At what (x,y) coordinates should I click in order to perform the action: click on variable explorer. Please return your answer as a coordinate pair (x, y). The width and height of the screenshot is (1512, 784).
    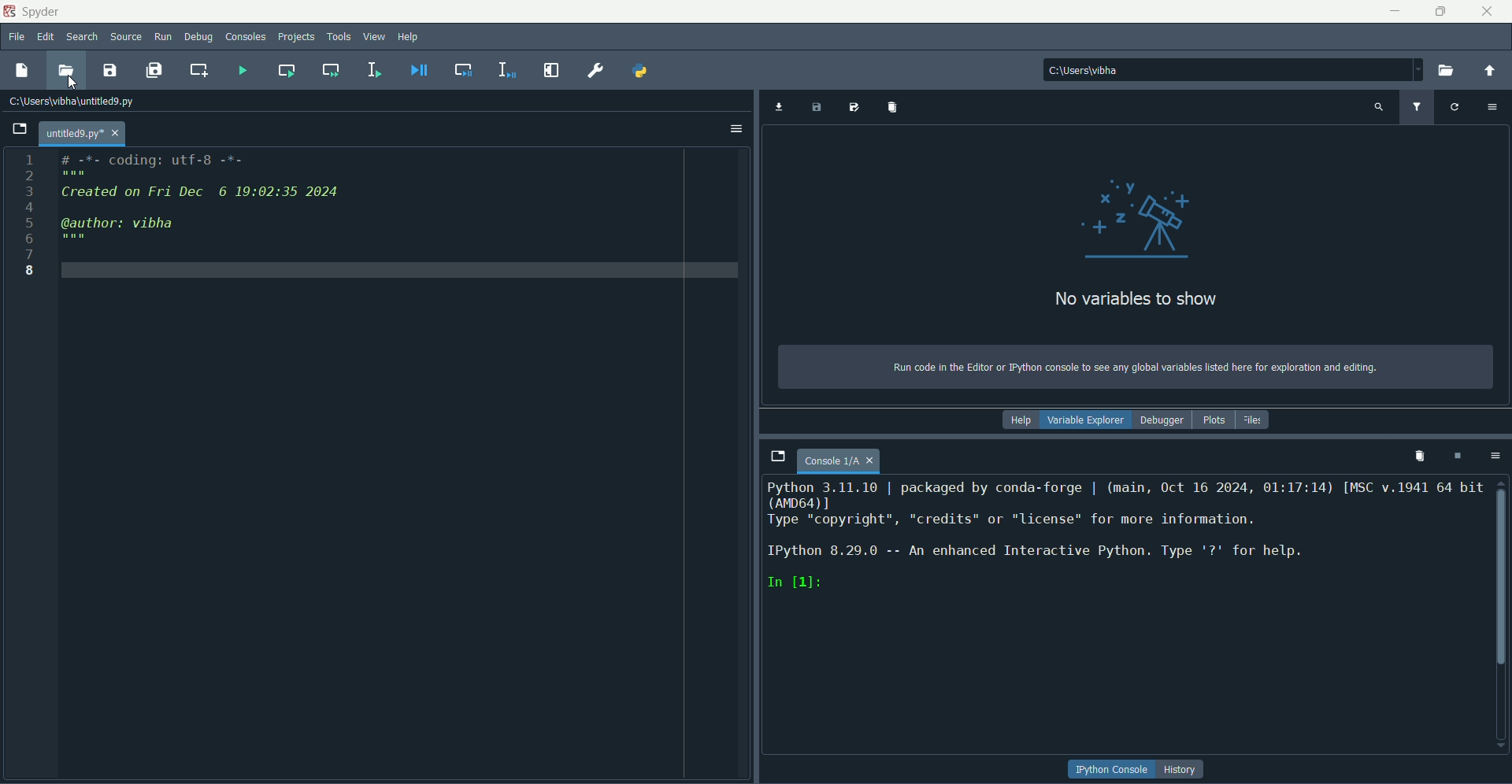
    Looking at the image, I should click on (1090, 420).